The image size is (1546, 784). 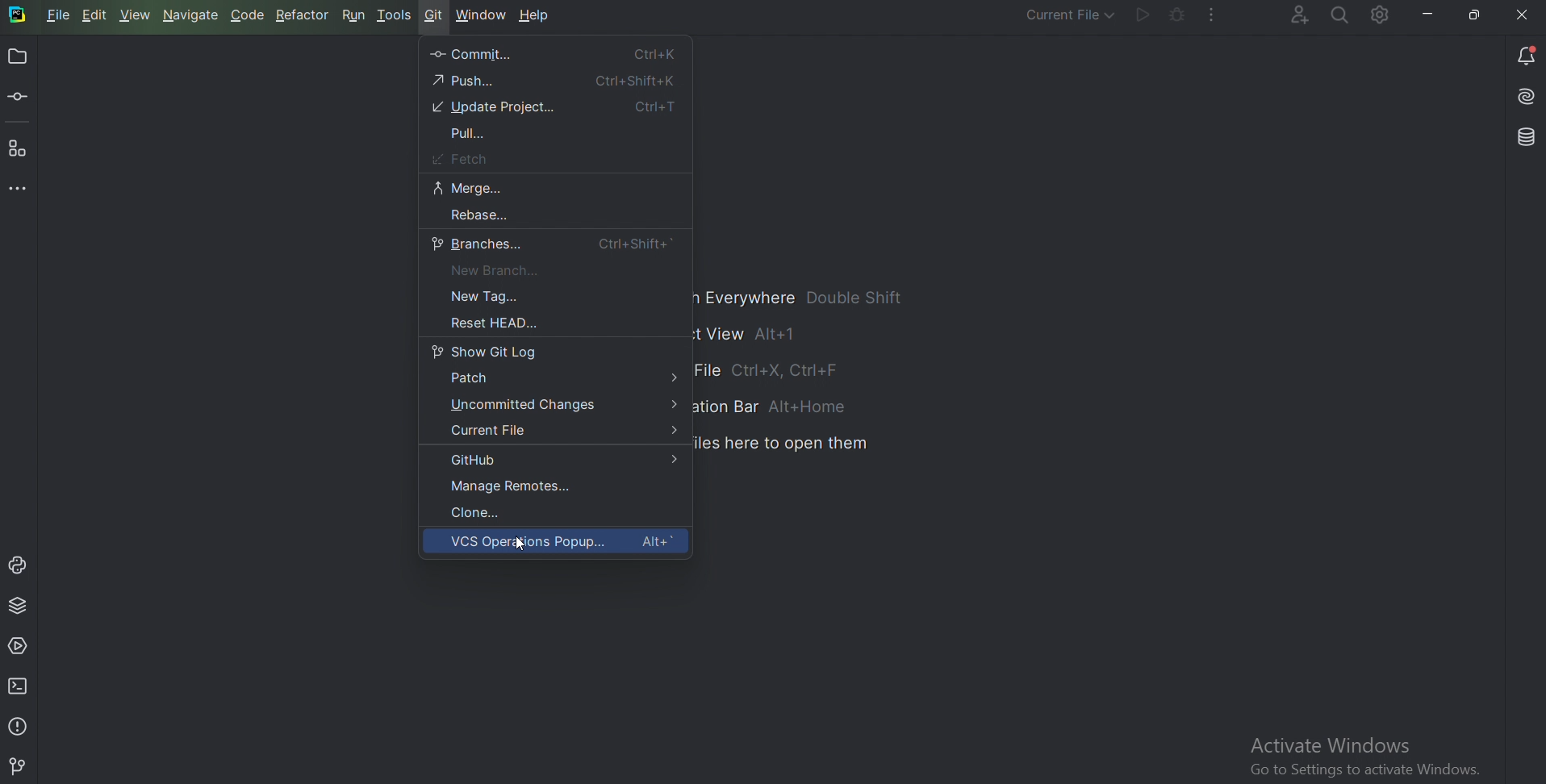 I want to click on Services, so click(x=22, y=644).